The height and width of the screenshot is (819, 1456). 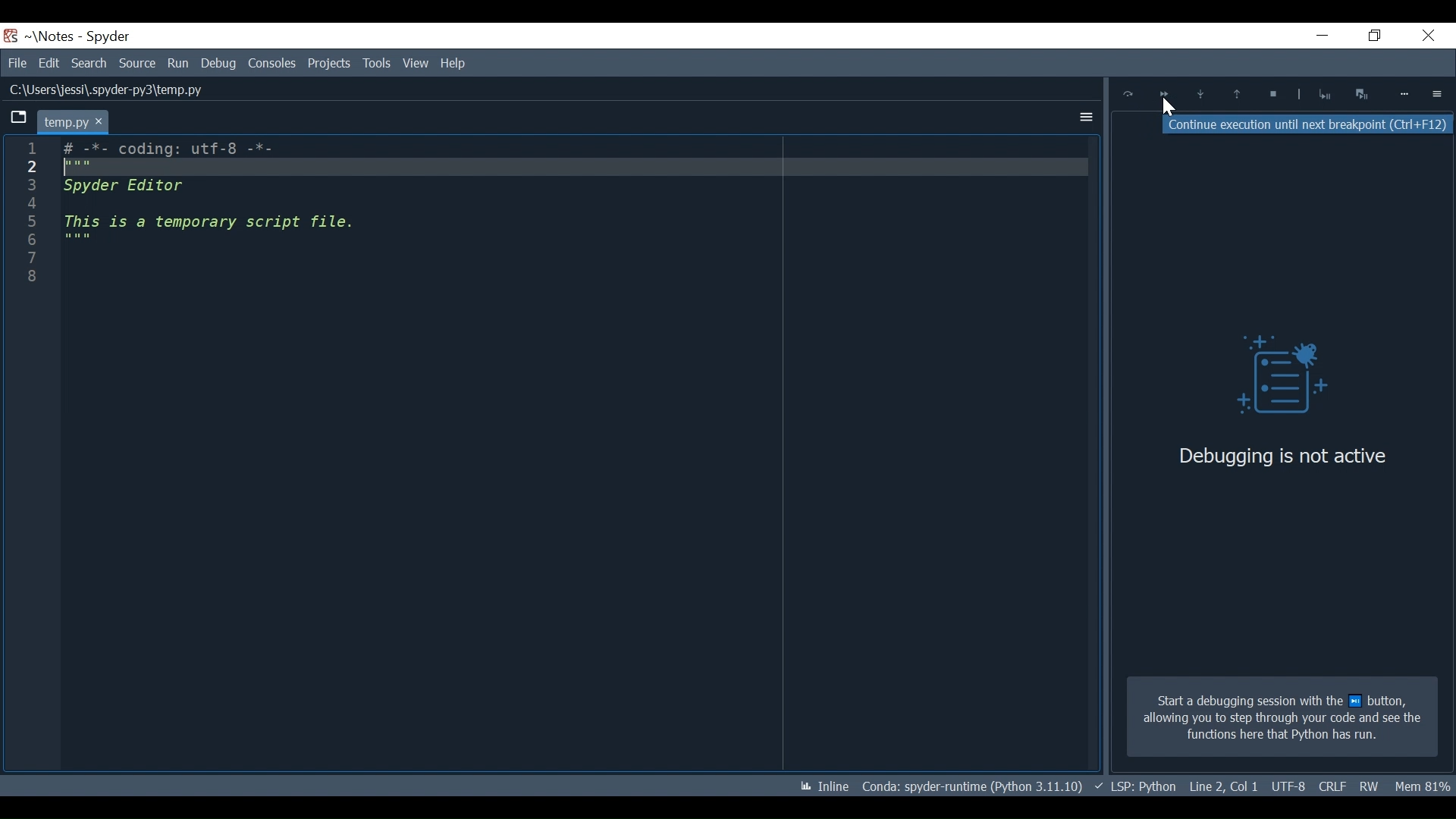 What do you see at coordinates (824, 786) in the screenshot?
I see `Toggle inline and interactive Matplotlib plotting` at bounding box center [824, 786].